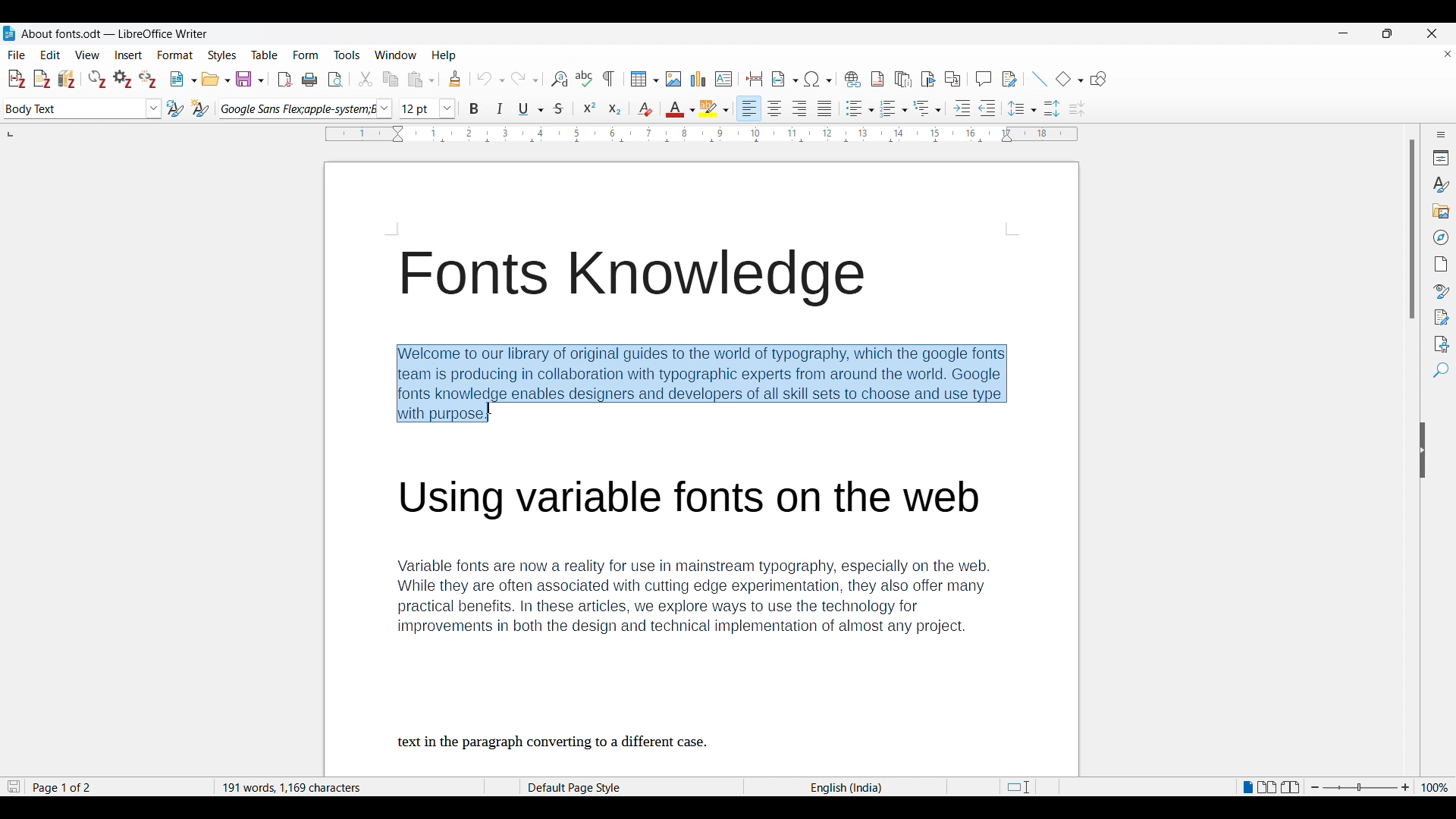 The width and height of the screenshot is (1456, 819). I want to click on Minimize, so click(1343, 33).